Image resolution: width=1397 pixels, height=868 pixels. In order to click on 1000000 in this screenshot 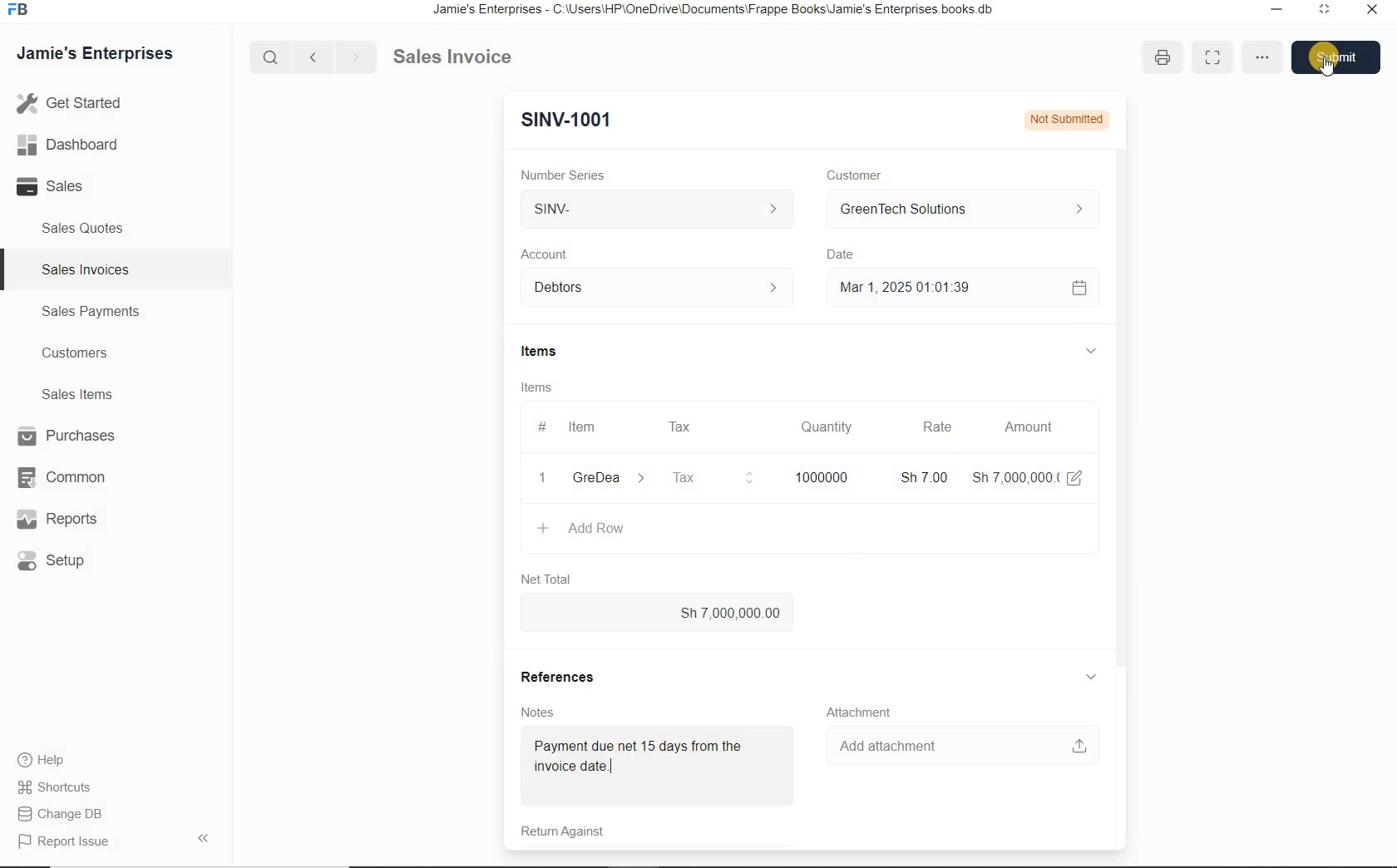, I will do `click(819, 476)`.